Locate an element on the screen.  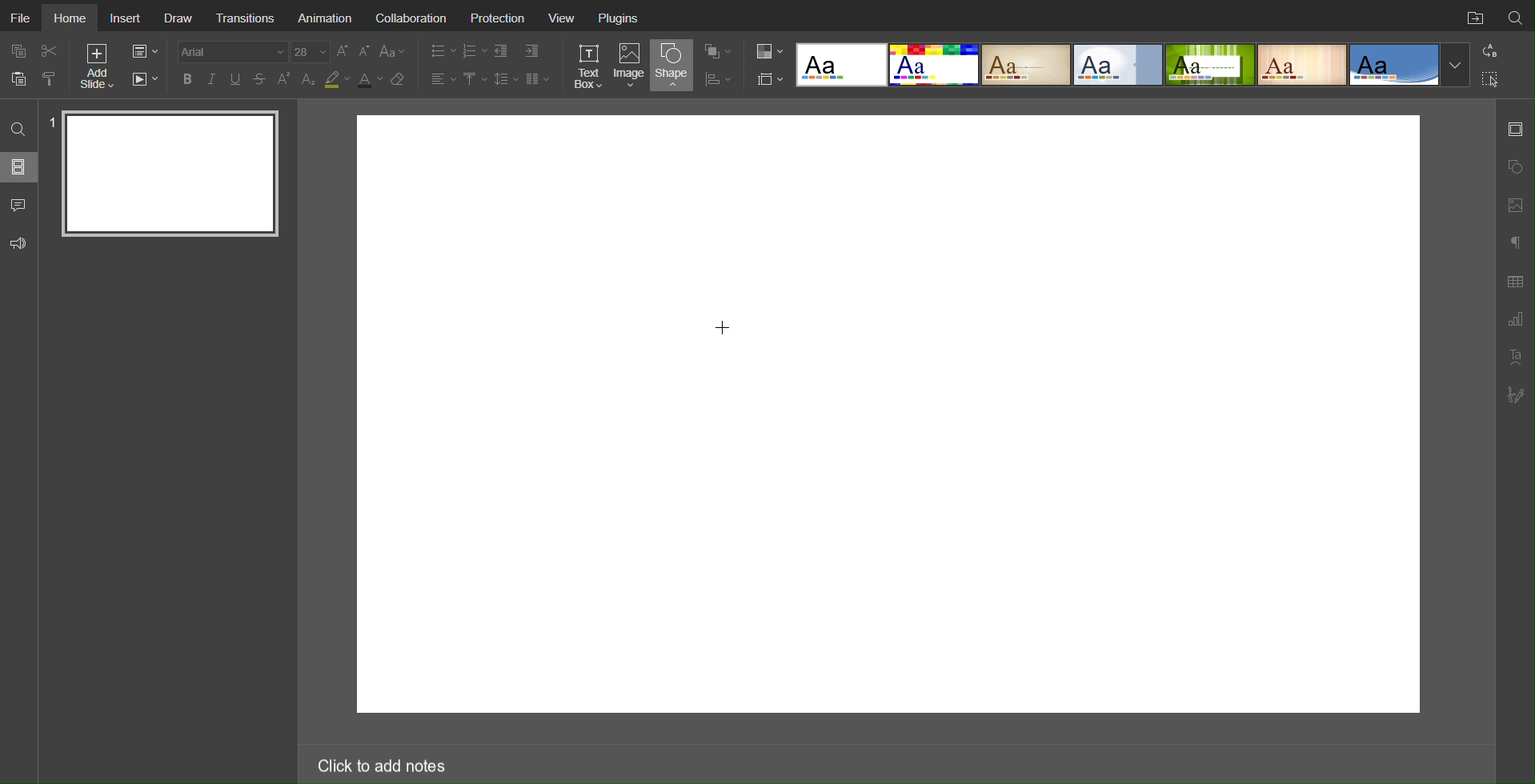
Font Size is located at coordinates (353, 51).